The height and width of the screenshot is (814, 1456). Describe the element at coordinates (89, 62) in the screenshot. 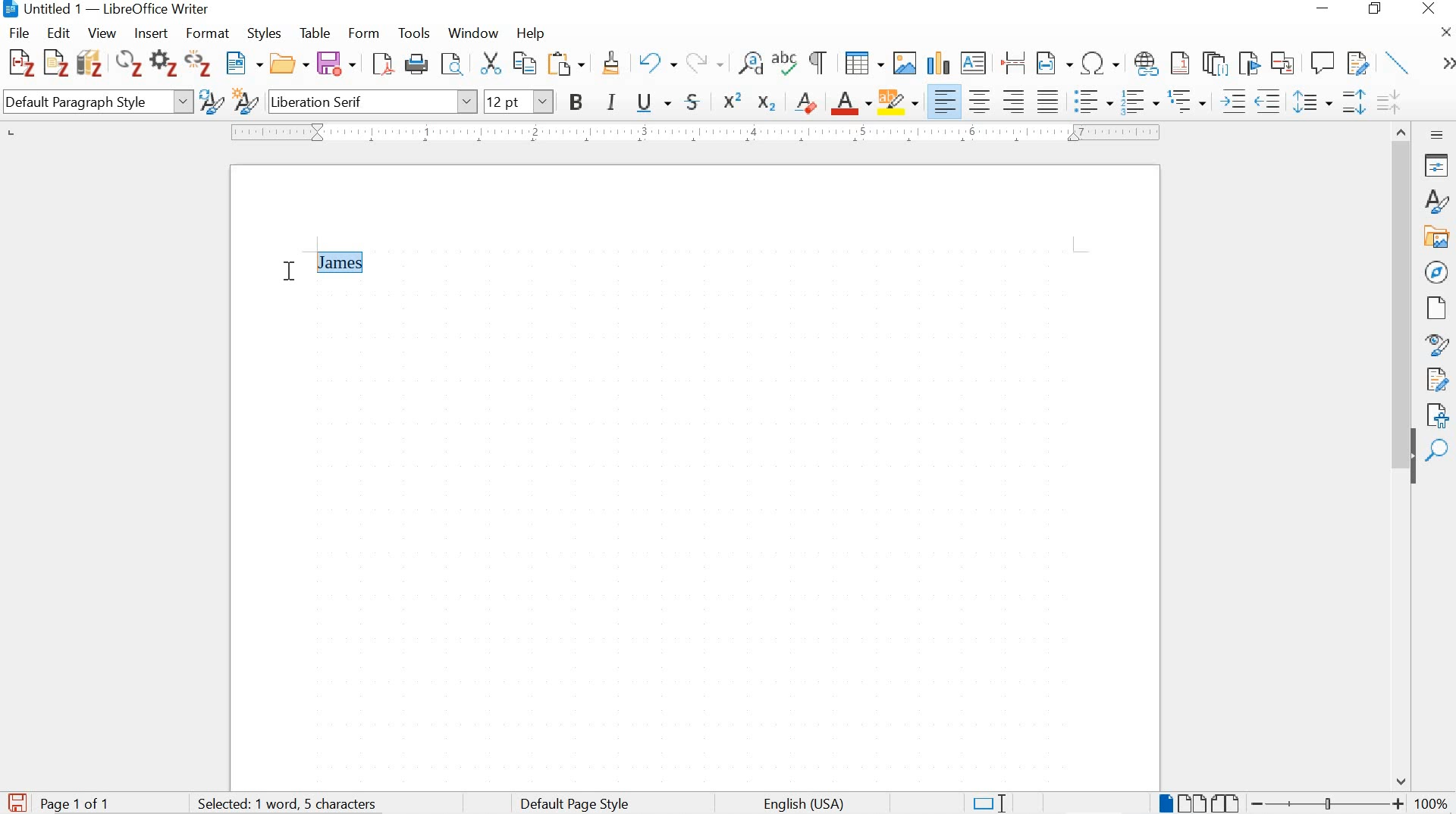

I see `add/edit bibliography` at that location.